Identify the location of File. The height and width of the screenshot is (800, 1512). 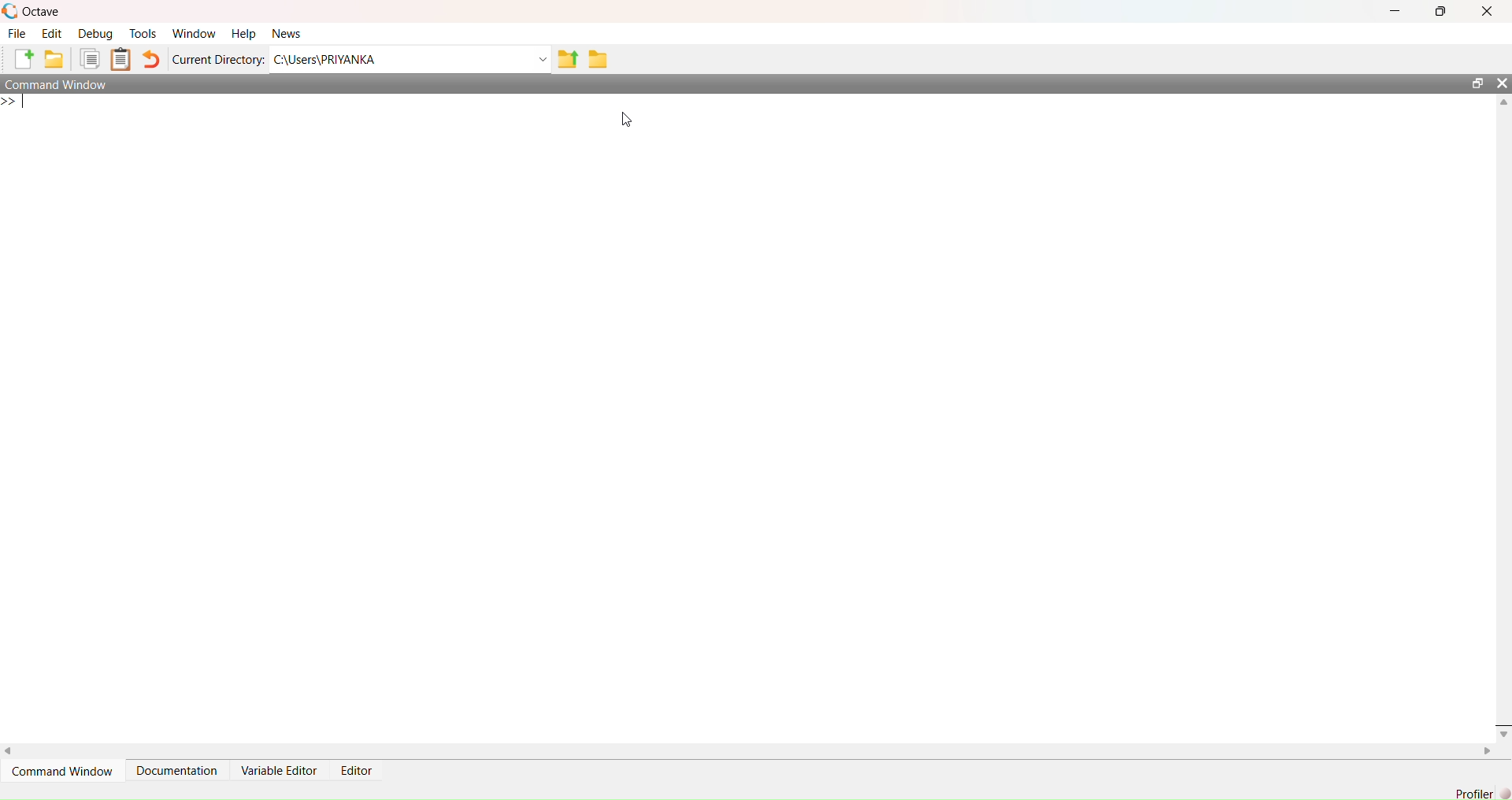
(17, 35).